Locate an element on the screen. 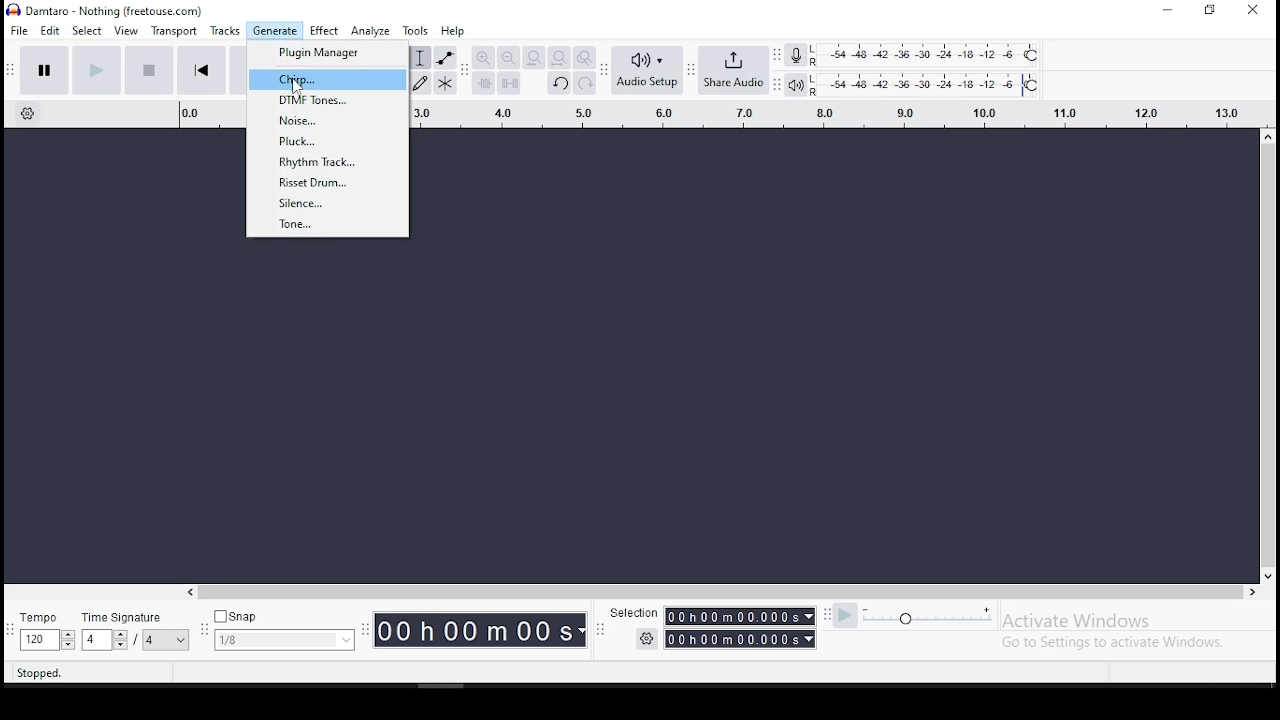 This screenshot has width=1280, height=720. envelope tool is located at coordinates (446, 58).